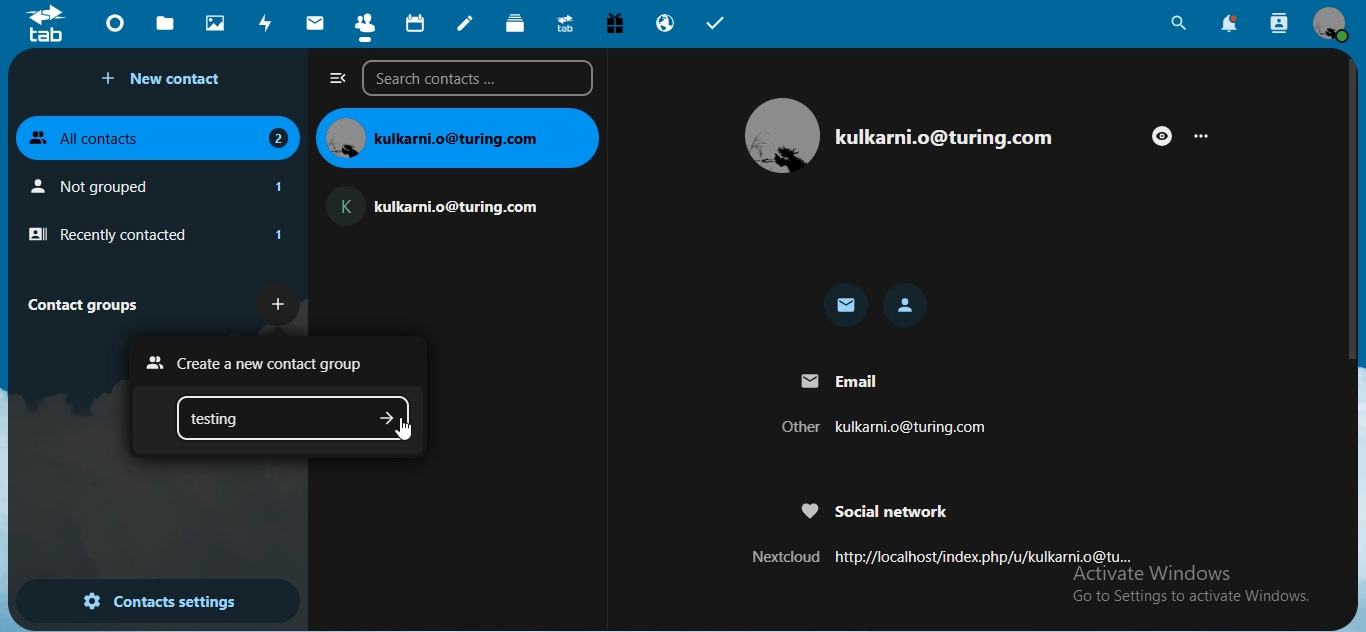 The width and height of the screenshot is (1366, 632). Describe the element at coordinates (267, 23) in the screenshot. I see `activity` at that location.